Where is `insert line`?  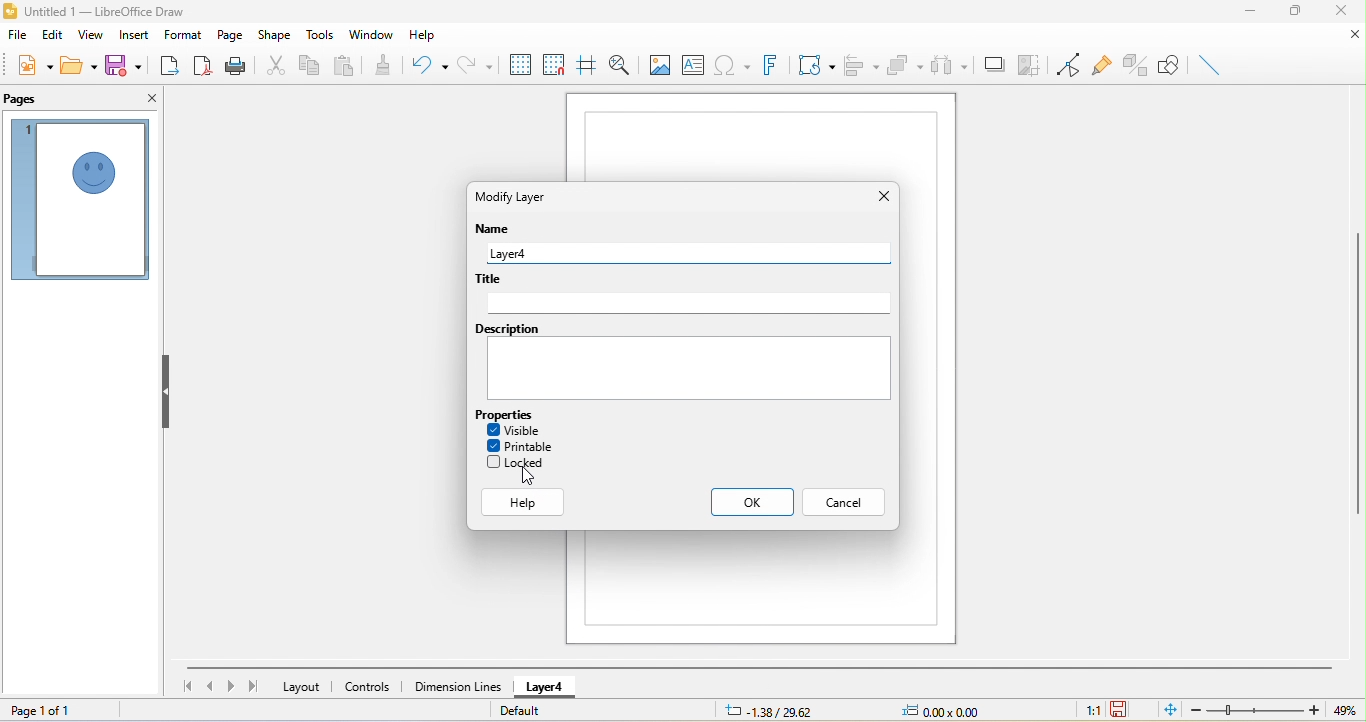 insert line is located at coordinates (1213, 63).